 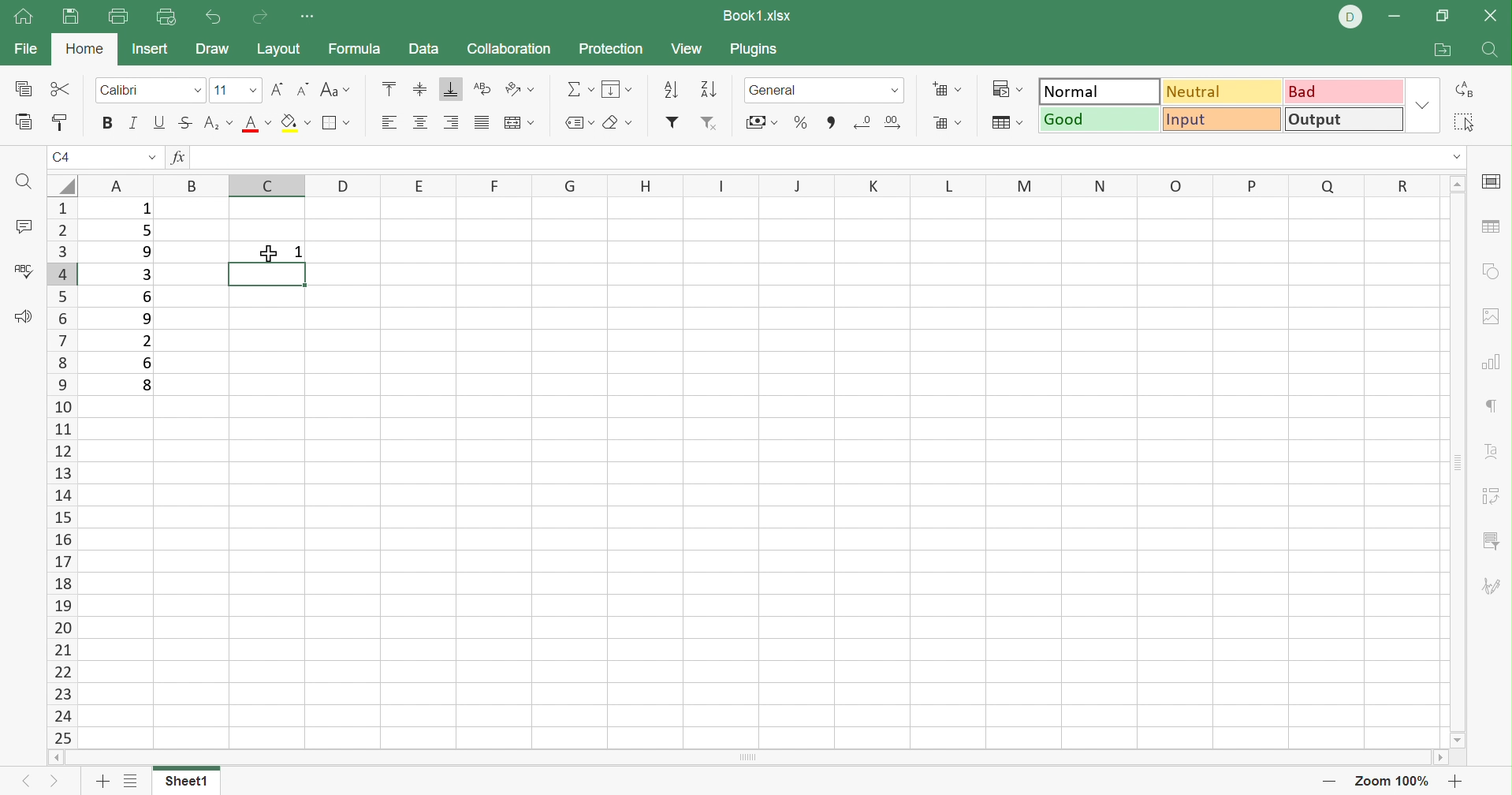 I want to click on 9, so click(x=140, y=319).